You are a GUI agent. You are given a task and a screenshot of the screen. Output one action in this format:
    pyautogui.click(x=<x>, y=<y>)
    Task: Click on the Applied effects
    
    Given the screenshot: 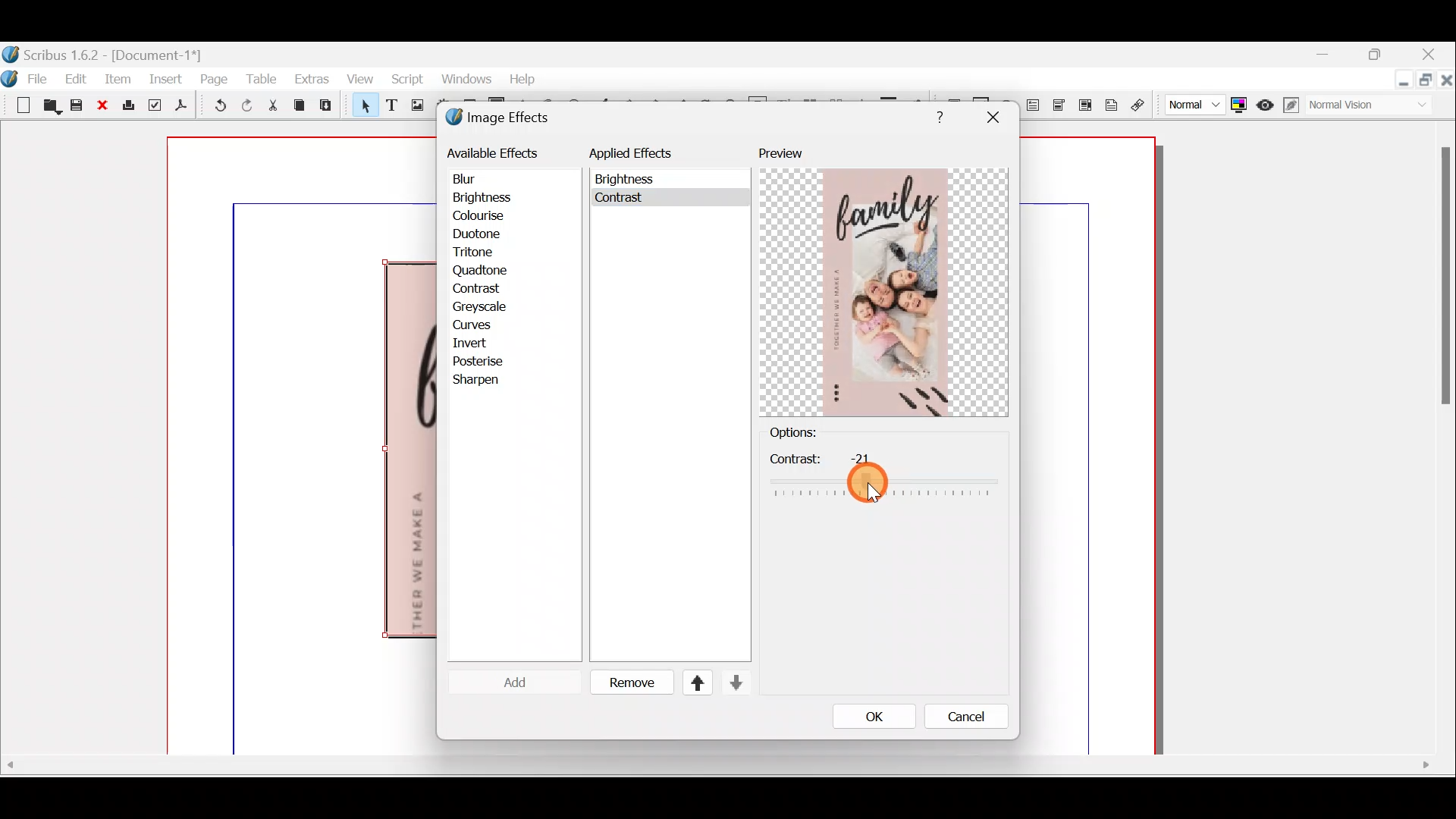 What is the action you would take?
    pyautogui.click(x=643, y=157)
    